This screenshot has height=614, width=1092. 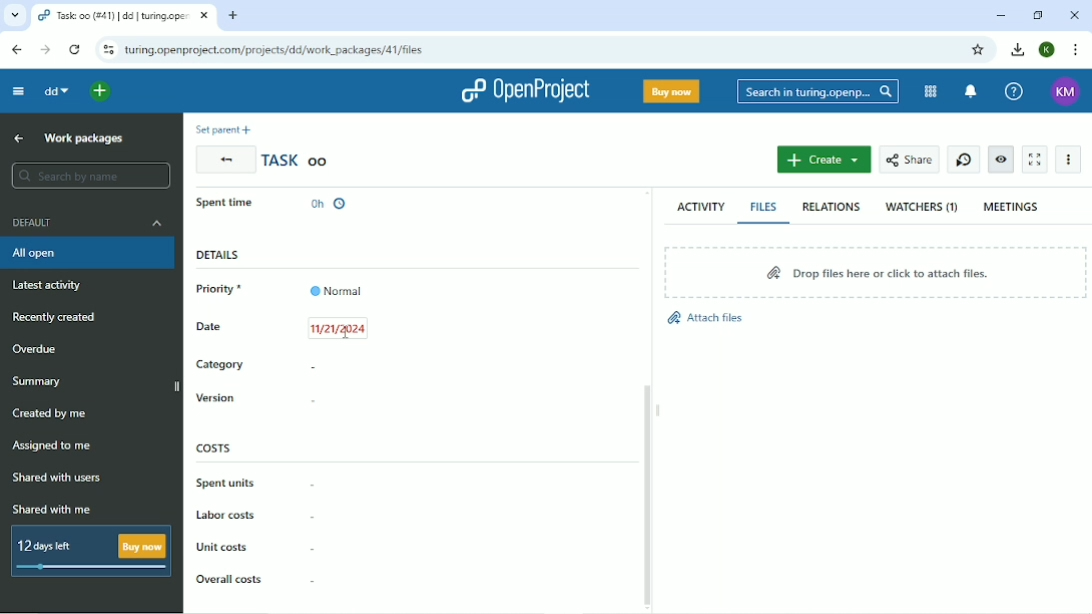 What do you see at coordinates (124, 15) in the screenshot?
I see `Current tab` at bounding box center [124, 15].